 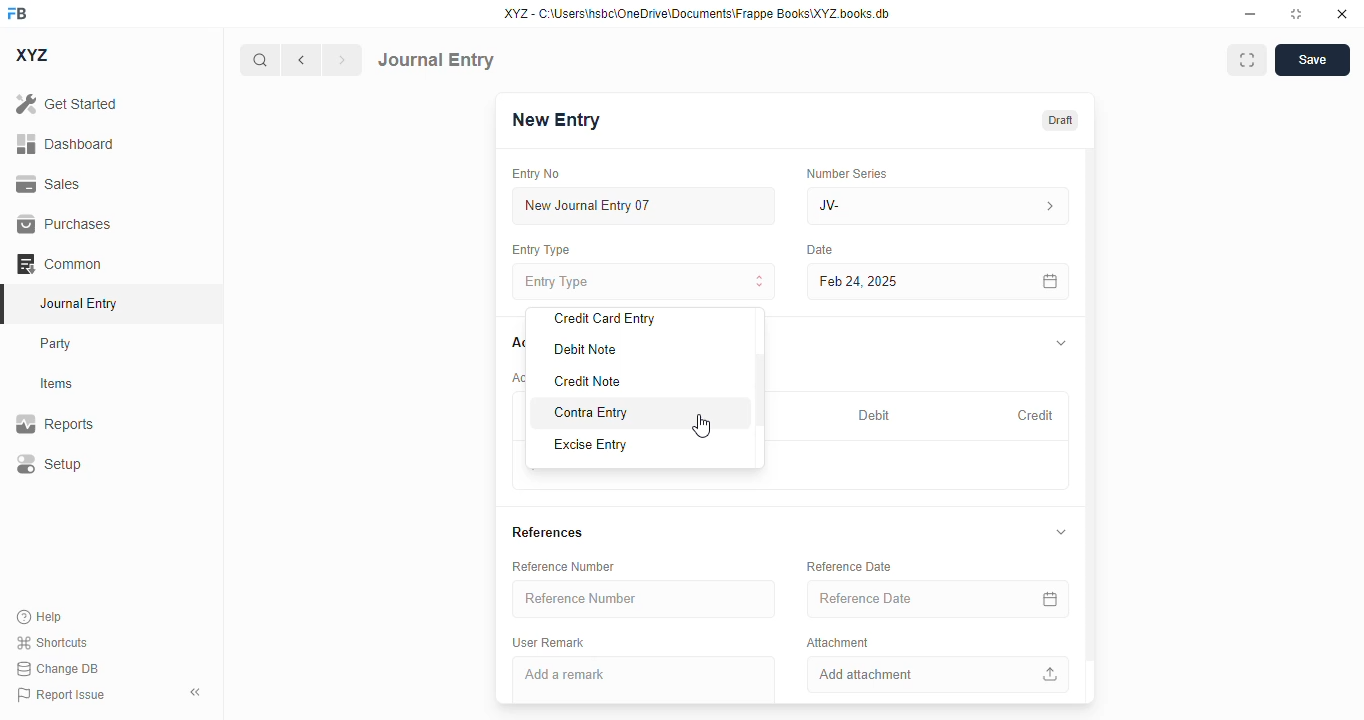 I want to click on toggle sidebar, so click(x=197, y=692).